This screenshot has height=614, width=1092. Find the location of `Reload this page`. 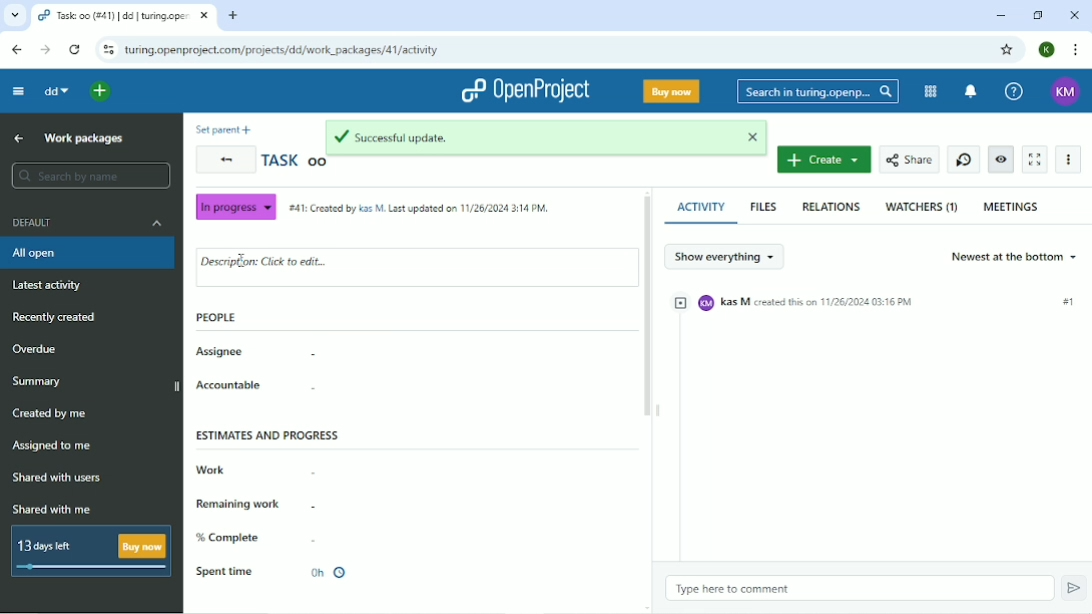

Reload this page is located at coordinates (75, 50).